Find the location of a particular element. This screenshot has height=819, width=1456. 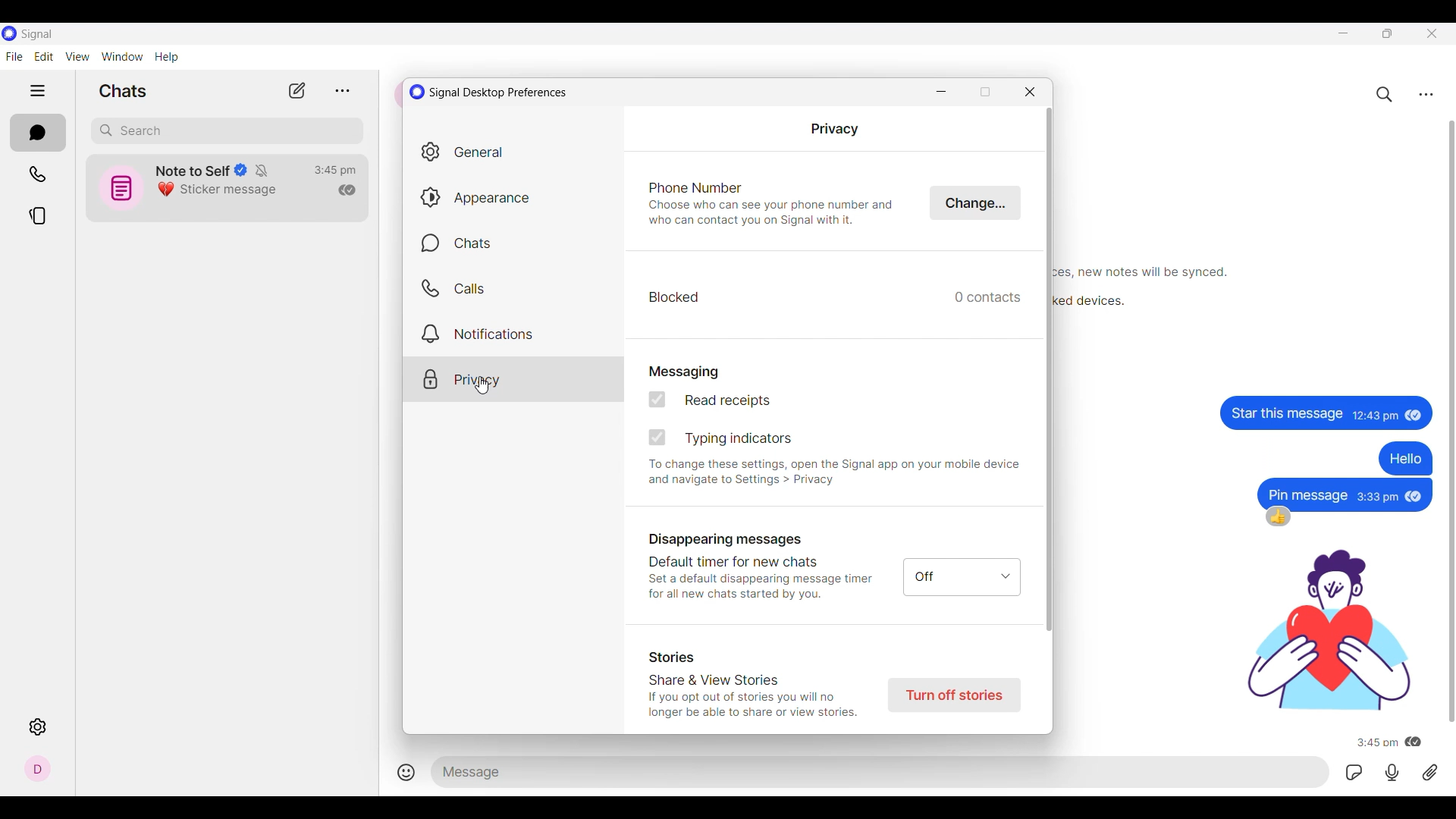

Show/Hide left side panel is located at coordinates (38, 91).